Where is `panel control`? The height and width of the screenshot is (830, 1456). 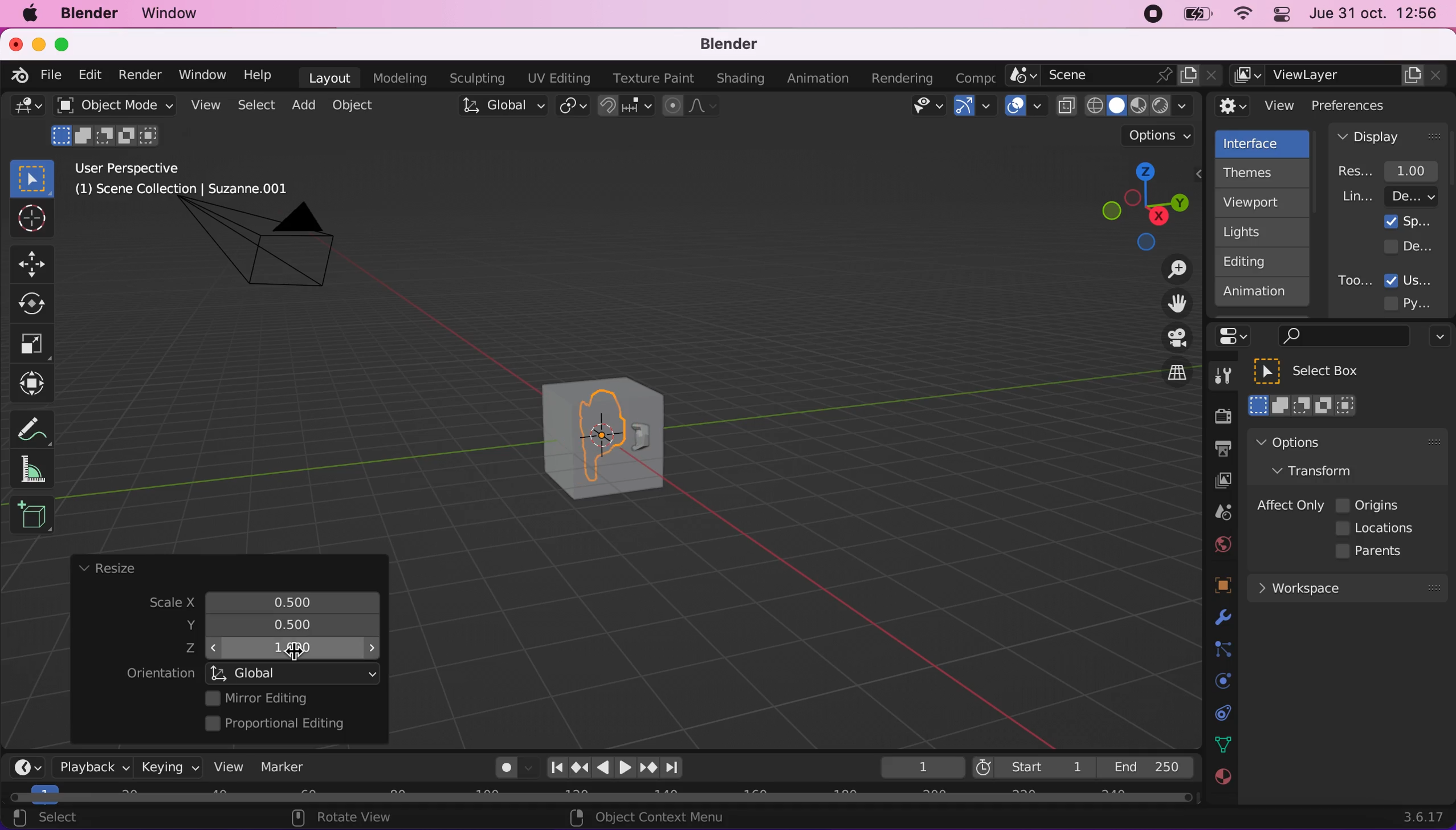 panel control is located at coordinates (1237, 336).